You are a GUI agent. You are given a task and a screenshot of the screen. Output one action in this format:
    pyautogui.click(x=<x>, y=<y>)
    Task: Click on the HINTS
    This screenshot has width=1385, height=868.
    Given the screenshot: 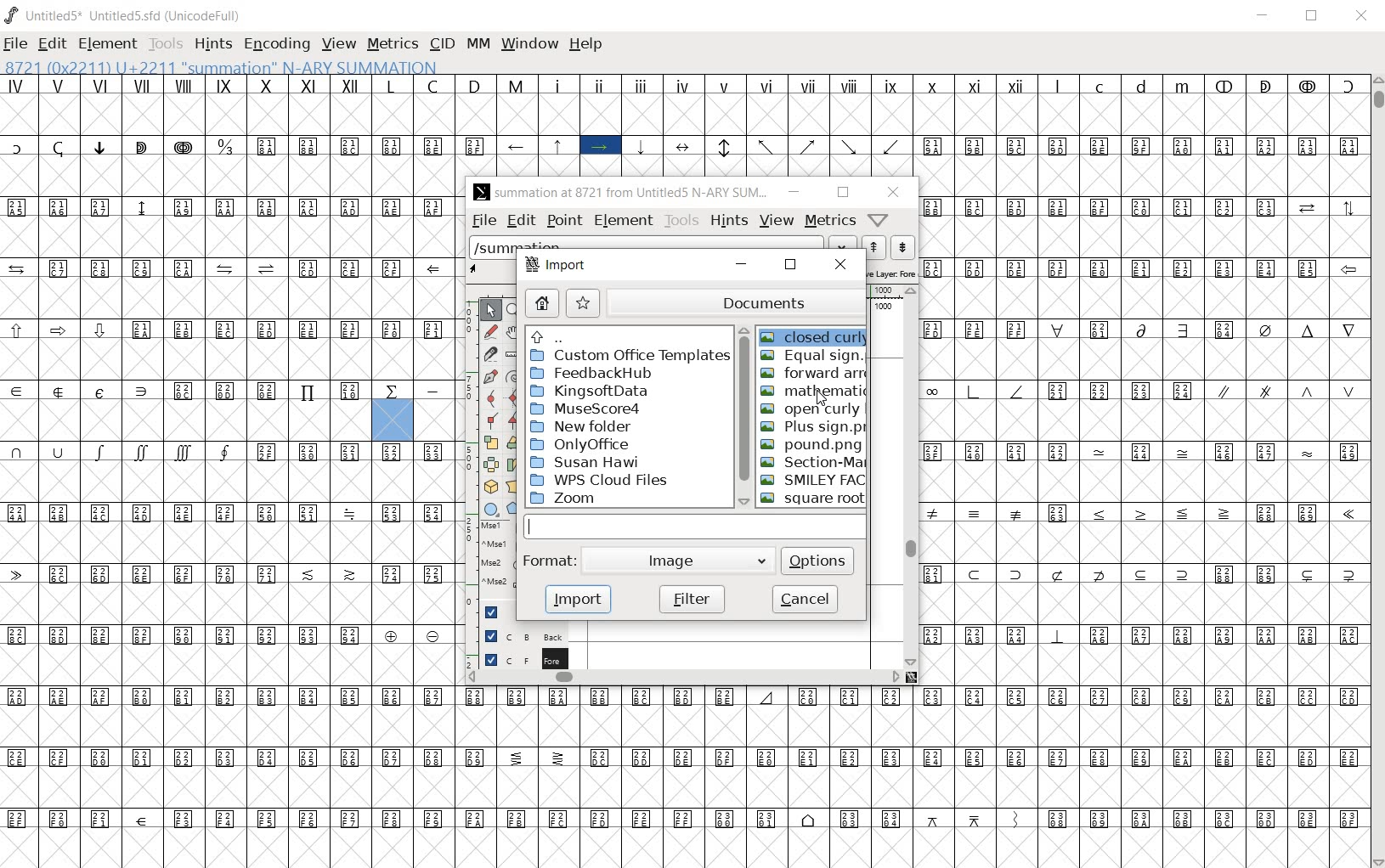 What is the action you would take?
    pyautogui.click(x=212, y=44)
    